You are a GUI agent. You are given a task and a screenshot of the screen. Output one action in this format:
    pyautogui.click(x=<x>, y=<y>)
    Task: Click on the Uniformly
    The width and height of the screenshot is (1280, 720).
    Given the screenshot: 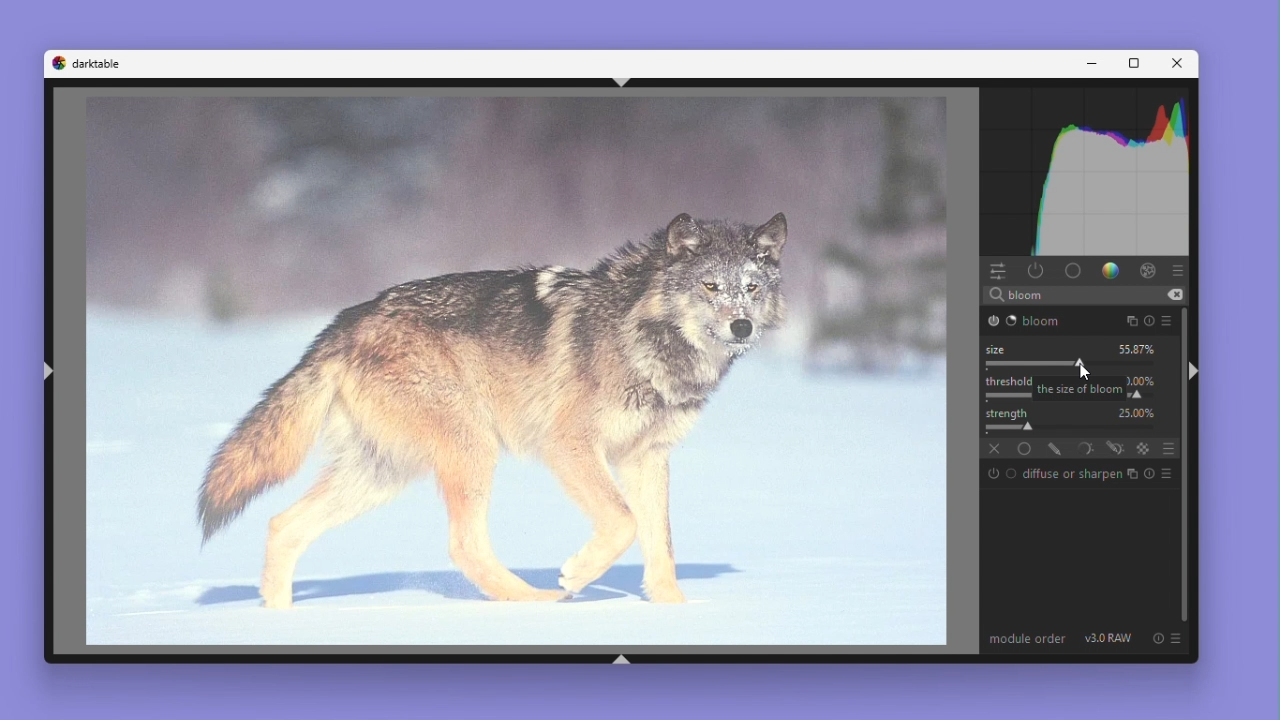 What is the action you would take?
    pyautogui.click(x=1024, y=448)
    